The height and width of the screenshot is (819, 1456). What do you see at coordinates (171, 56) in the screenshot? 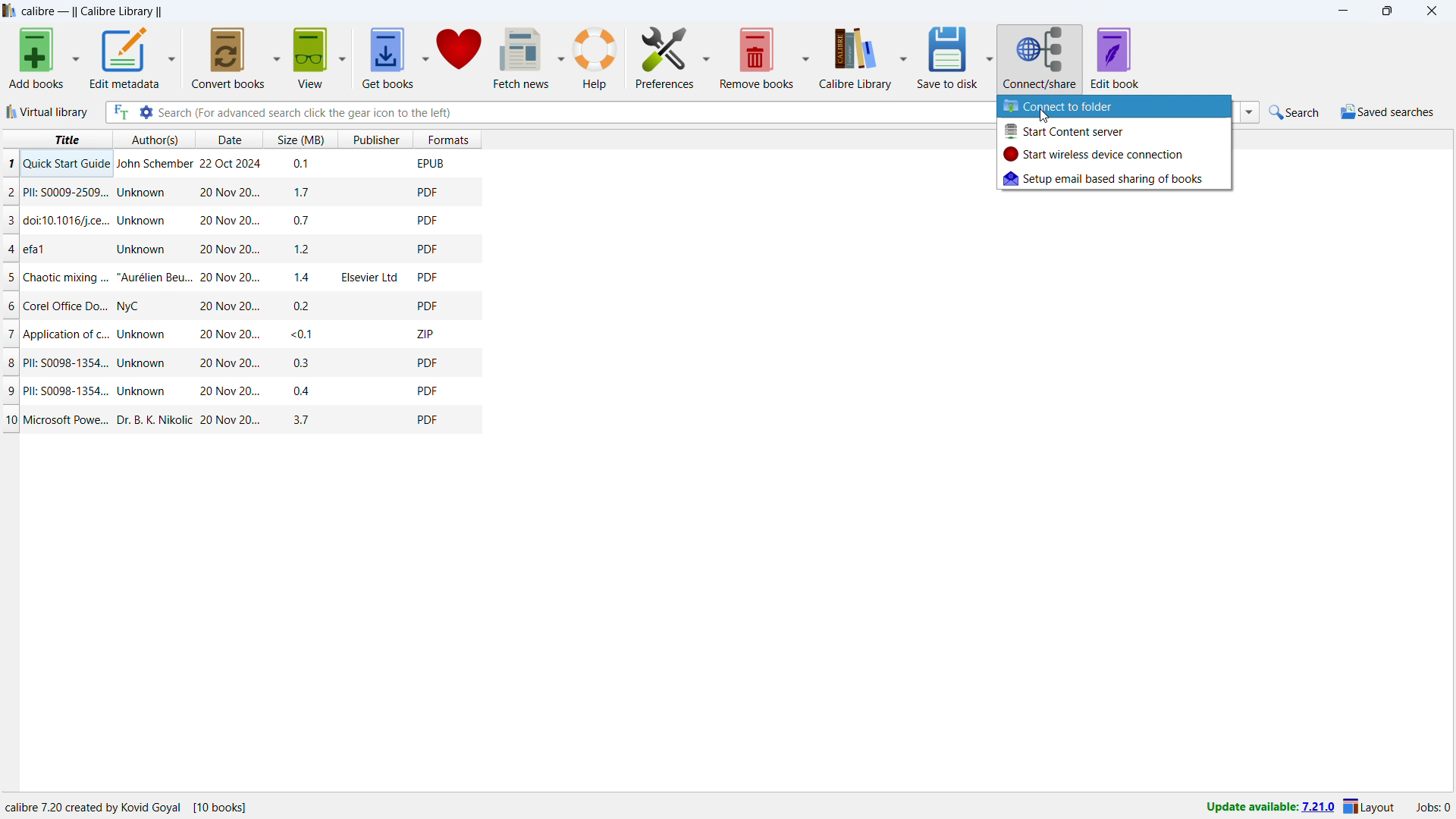
I see `edit metadata options` at bounding box center [171, 56].